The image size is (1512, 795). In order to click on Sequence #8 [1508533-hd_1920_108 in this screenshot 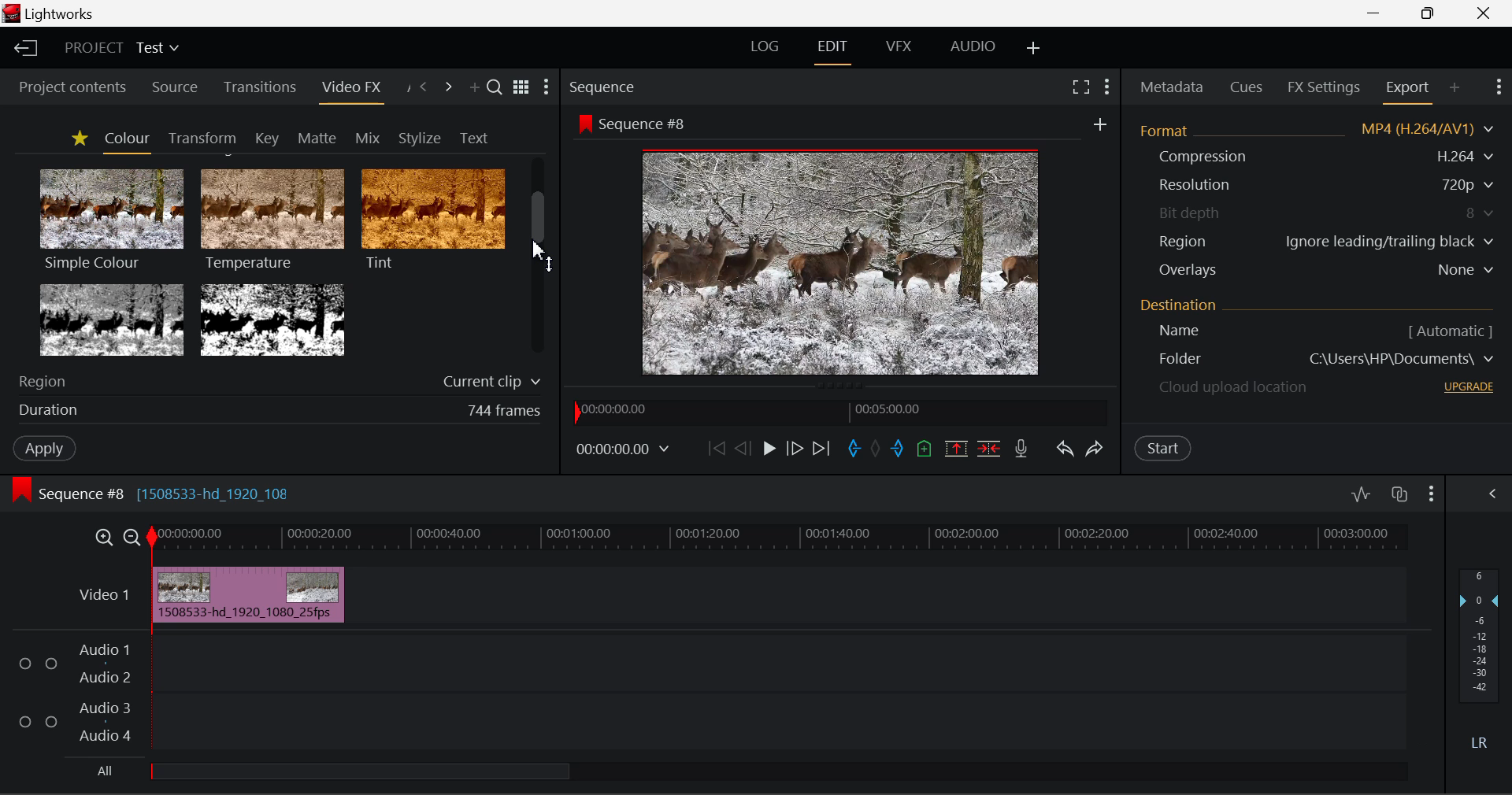, I will do `click(169, 490)`.